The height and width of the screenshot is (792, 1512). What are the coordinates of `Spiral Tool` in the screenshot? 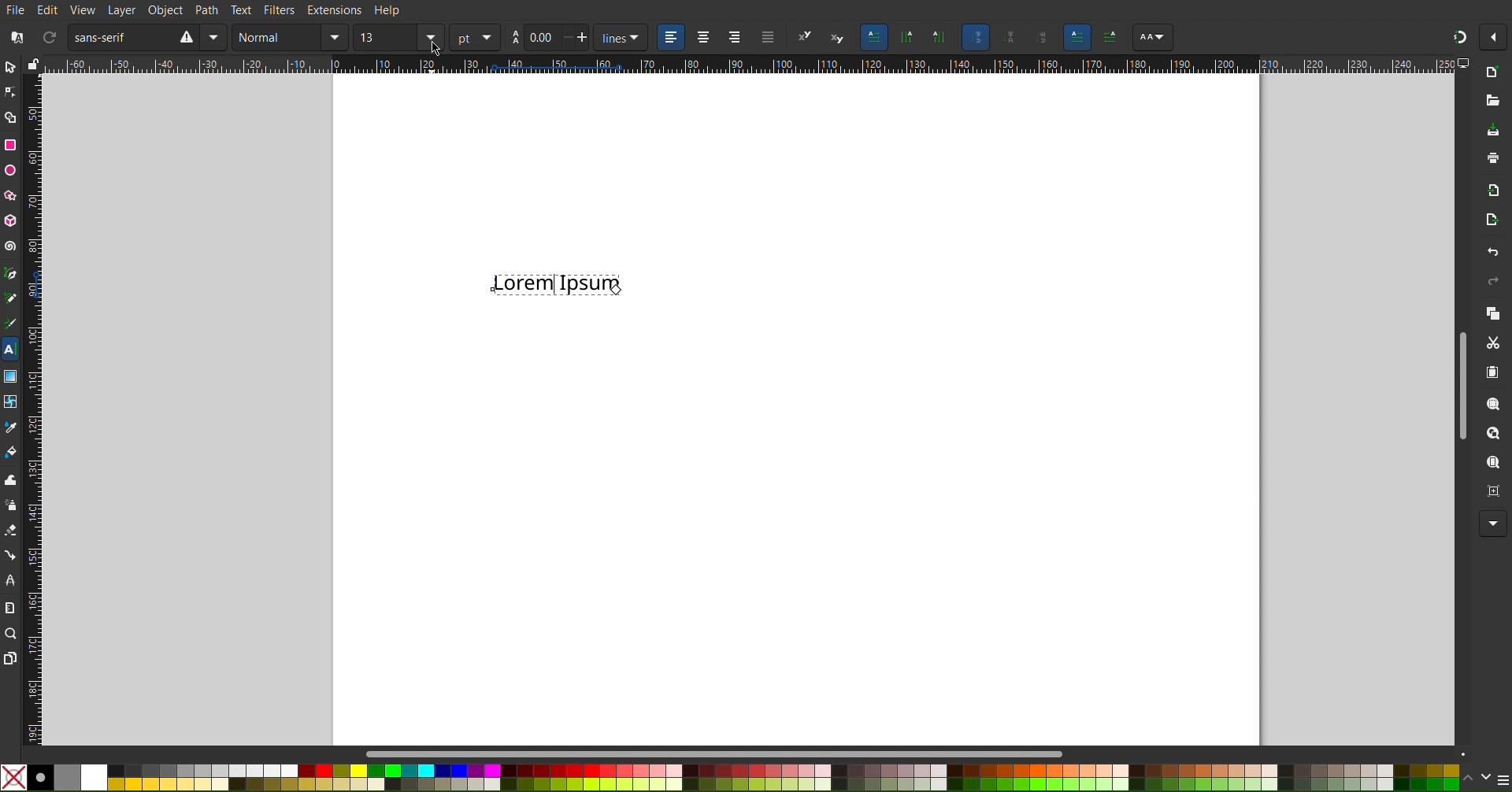 It's located at (10, 245).